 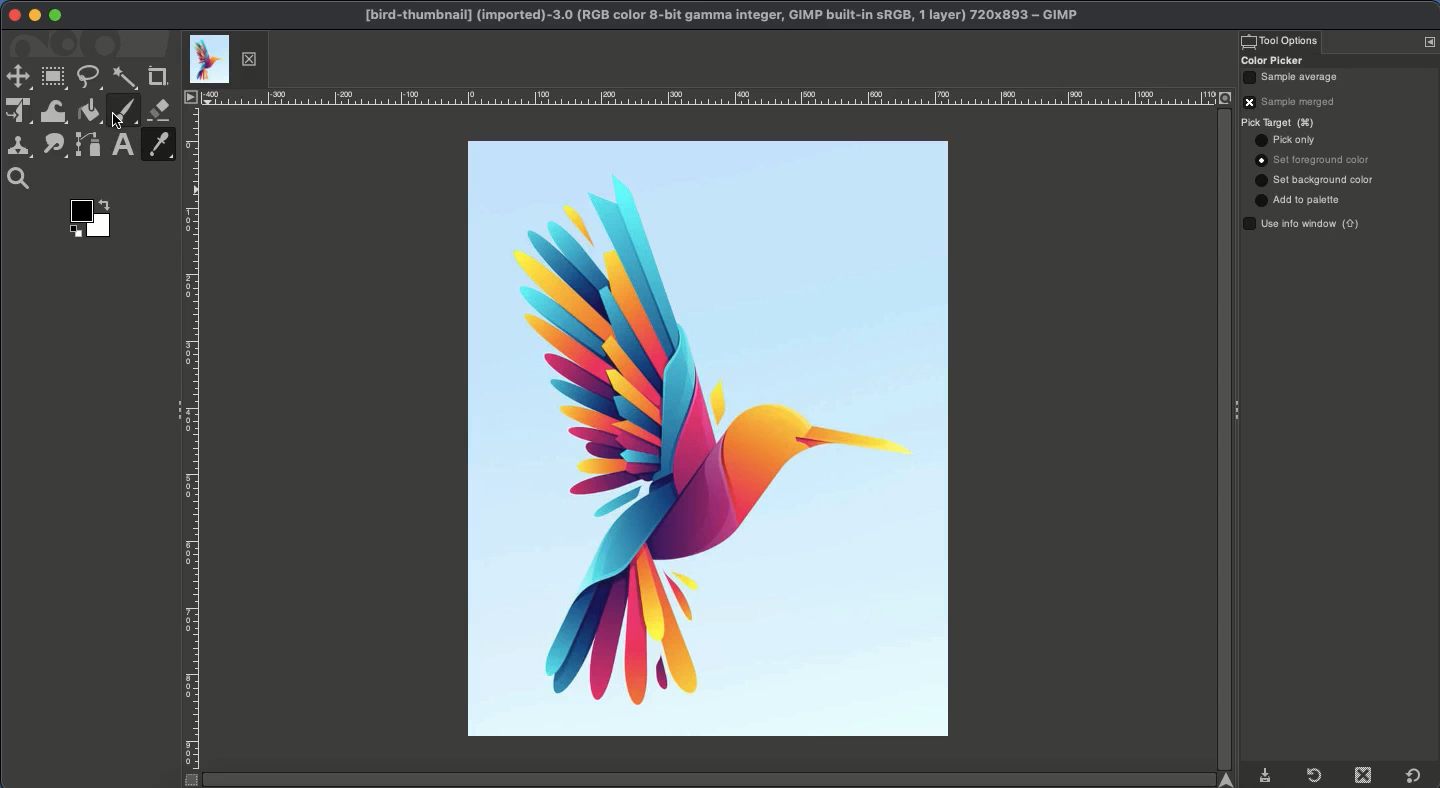 What do you see at coordinates (159, 77) in the screenshot?
I see `Crop` at bounding box center [159, 77].